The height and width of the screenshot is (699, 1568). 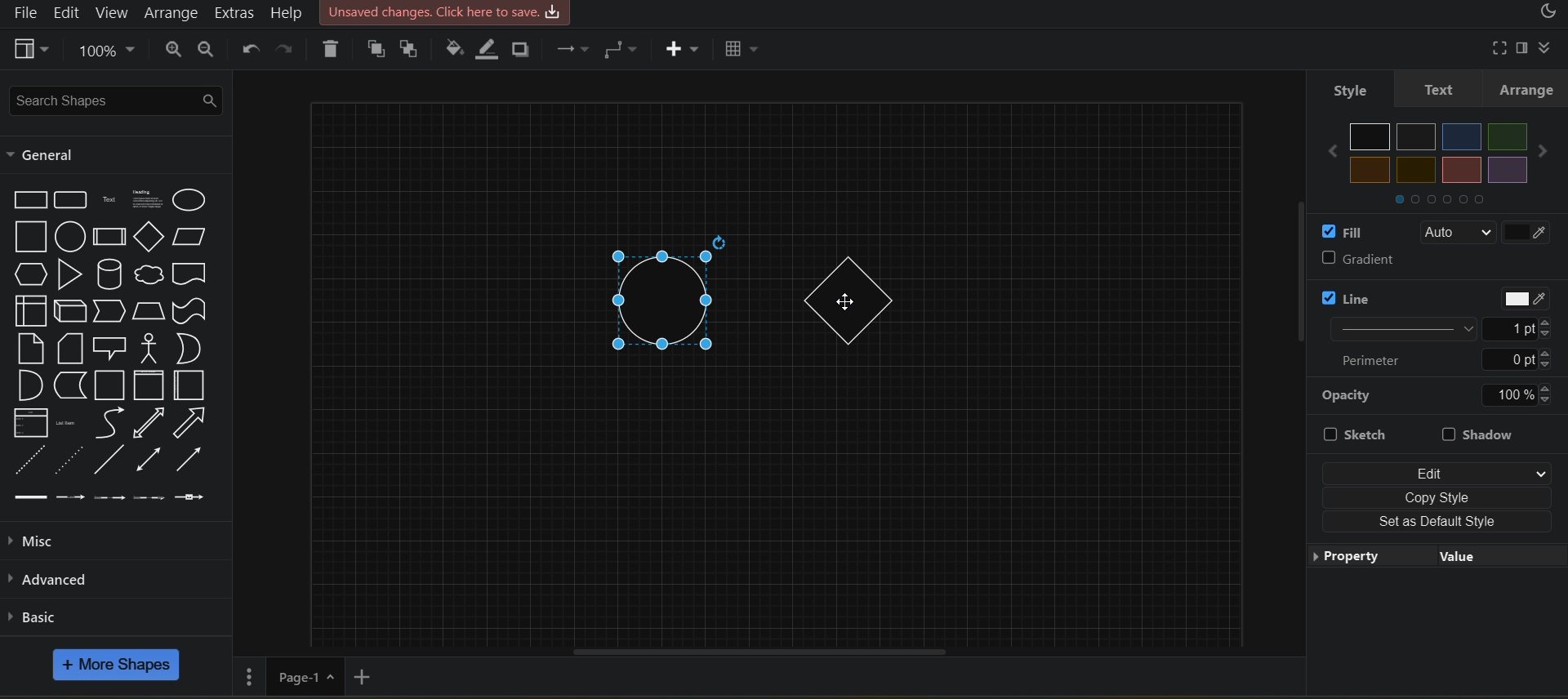 I want to click on redo, so click(x=287, y=47).